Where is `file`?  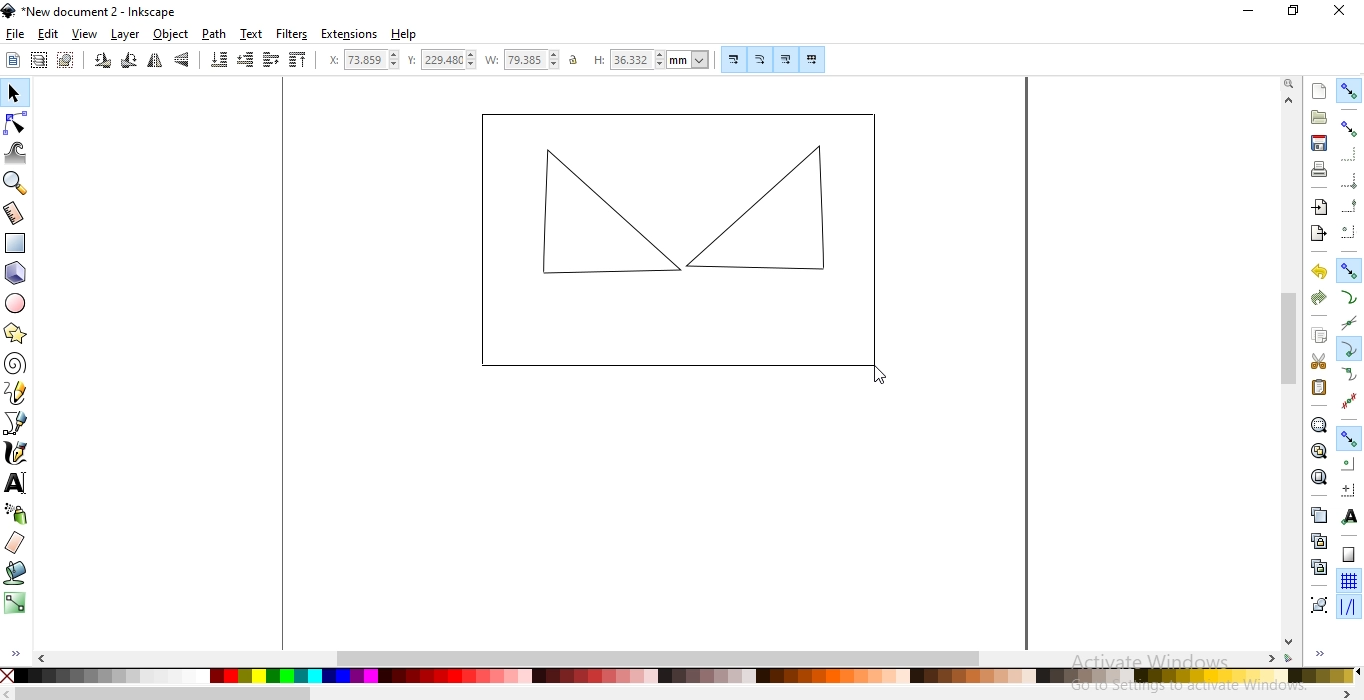 file is located at coordinates (14, 34).